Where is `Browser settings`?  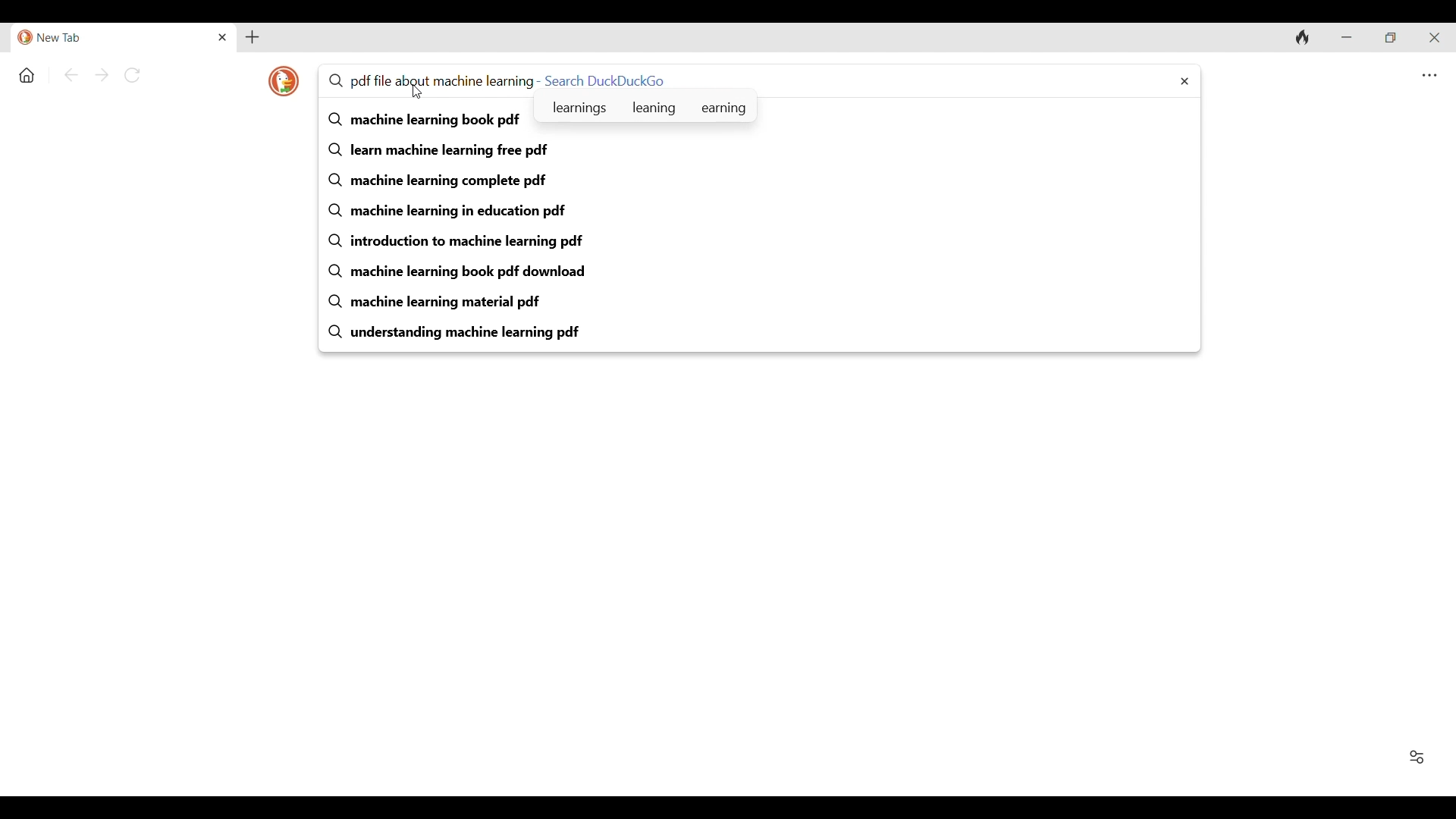
Browser settings is located at coordinates (1429, 76).